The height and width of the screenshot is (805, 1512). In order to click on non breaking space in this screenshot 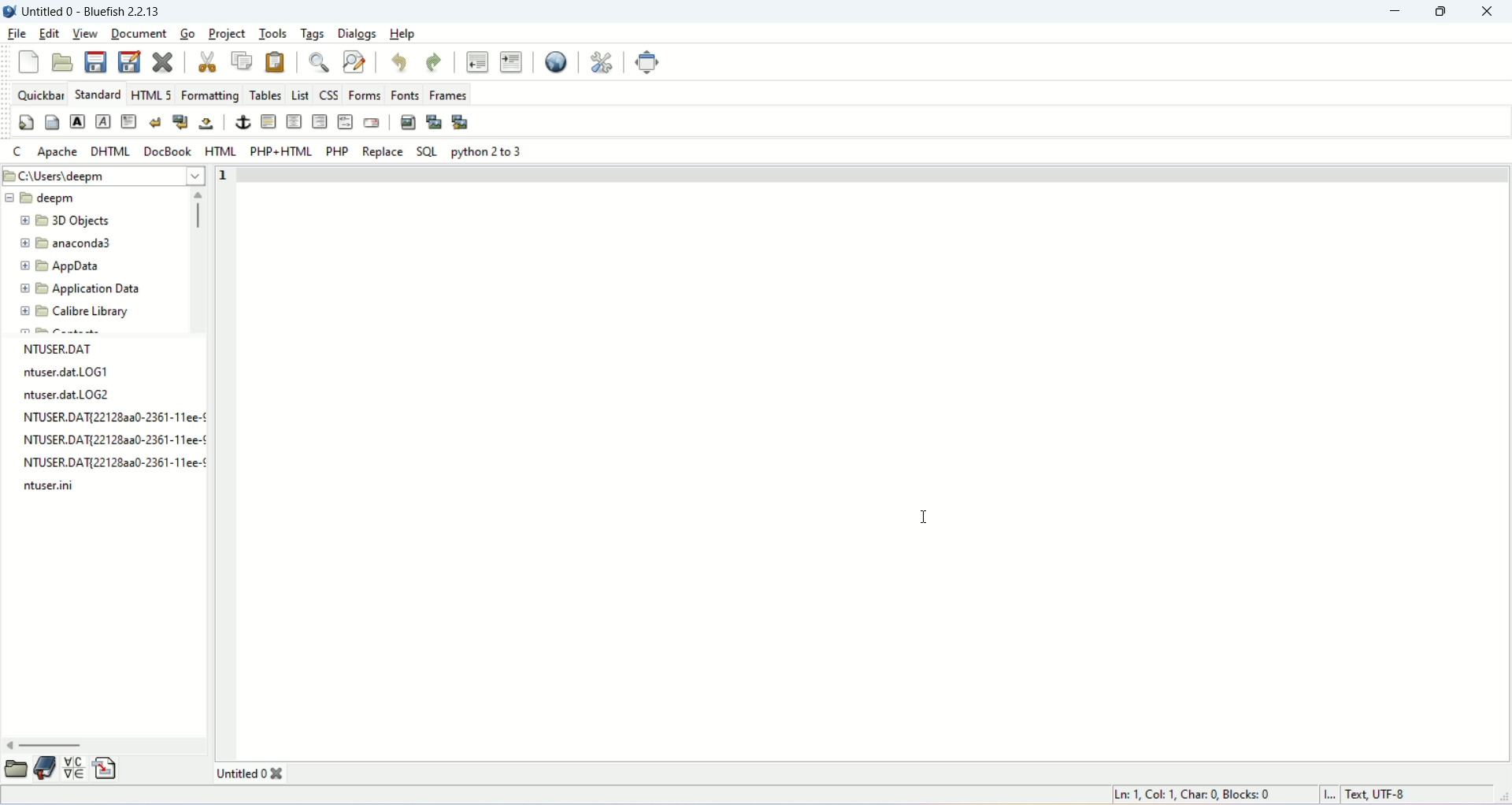, I will do `click(207, 123)`.